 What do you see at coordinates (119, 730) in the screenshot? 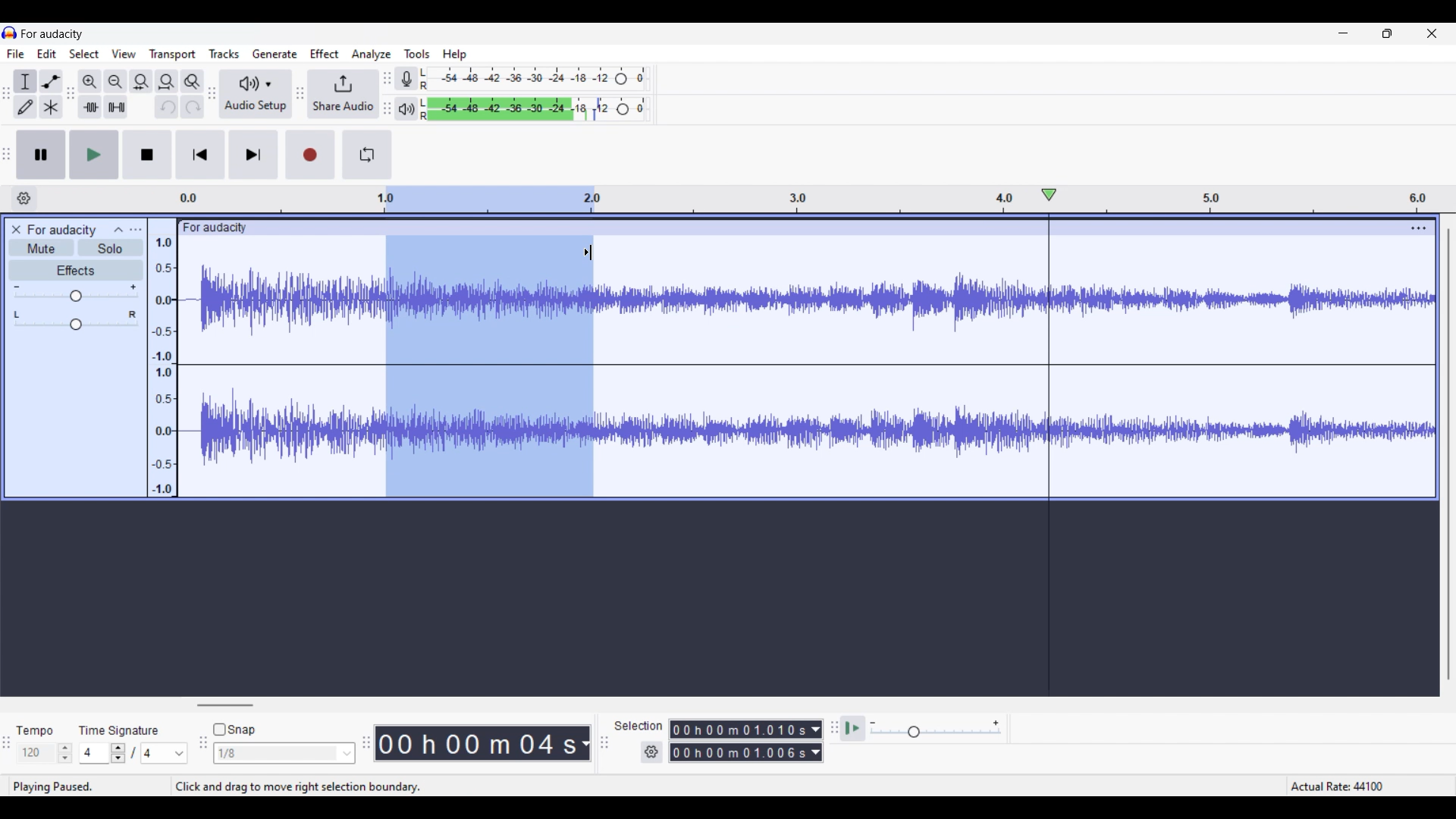
I see `time signature` at bounding box center [119, 730].